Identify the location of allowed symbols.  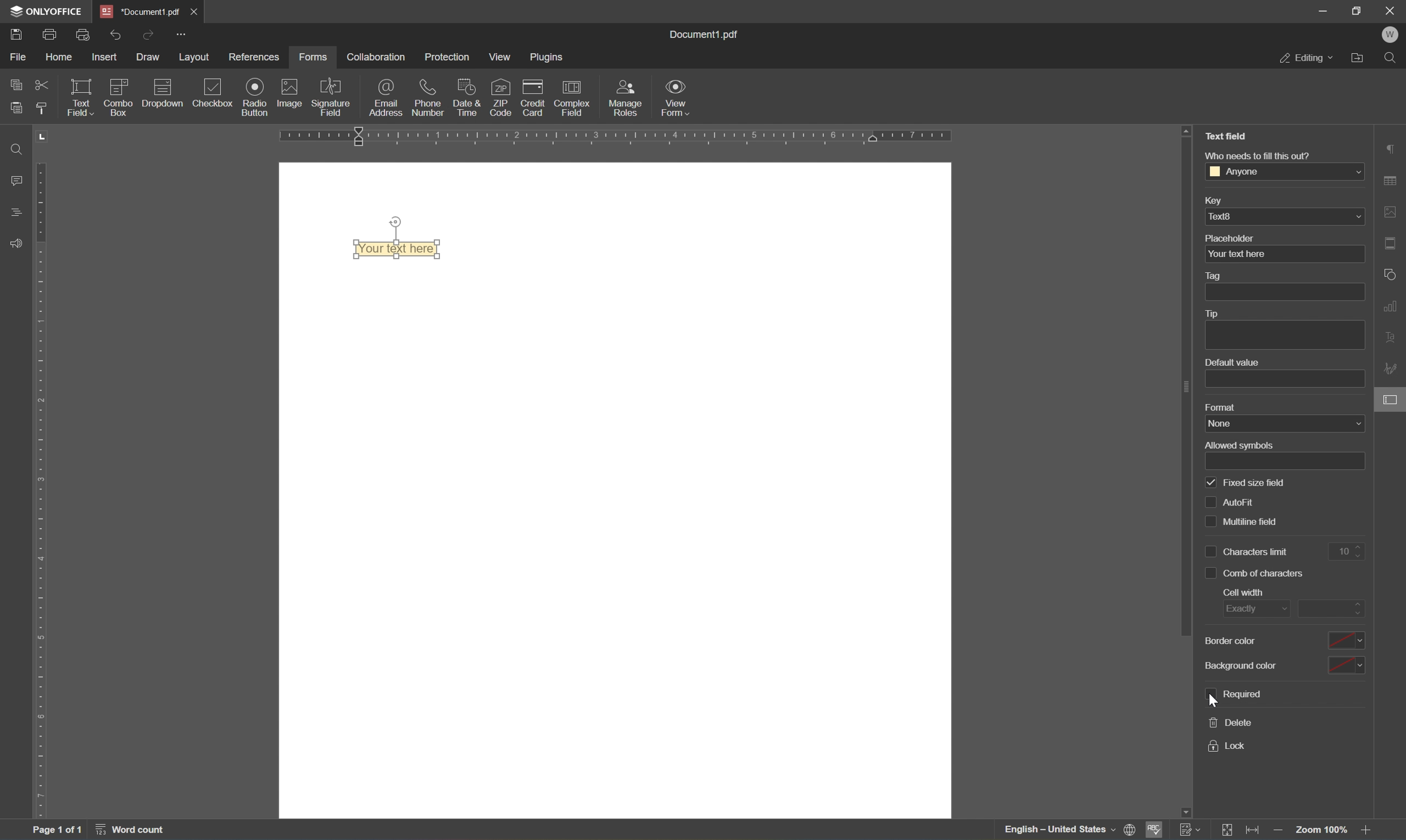
(1241, 445).